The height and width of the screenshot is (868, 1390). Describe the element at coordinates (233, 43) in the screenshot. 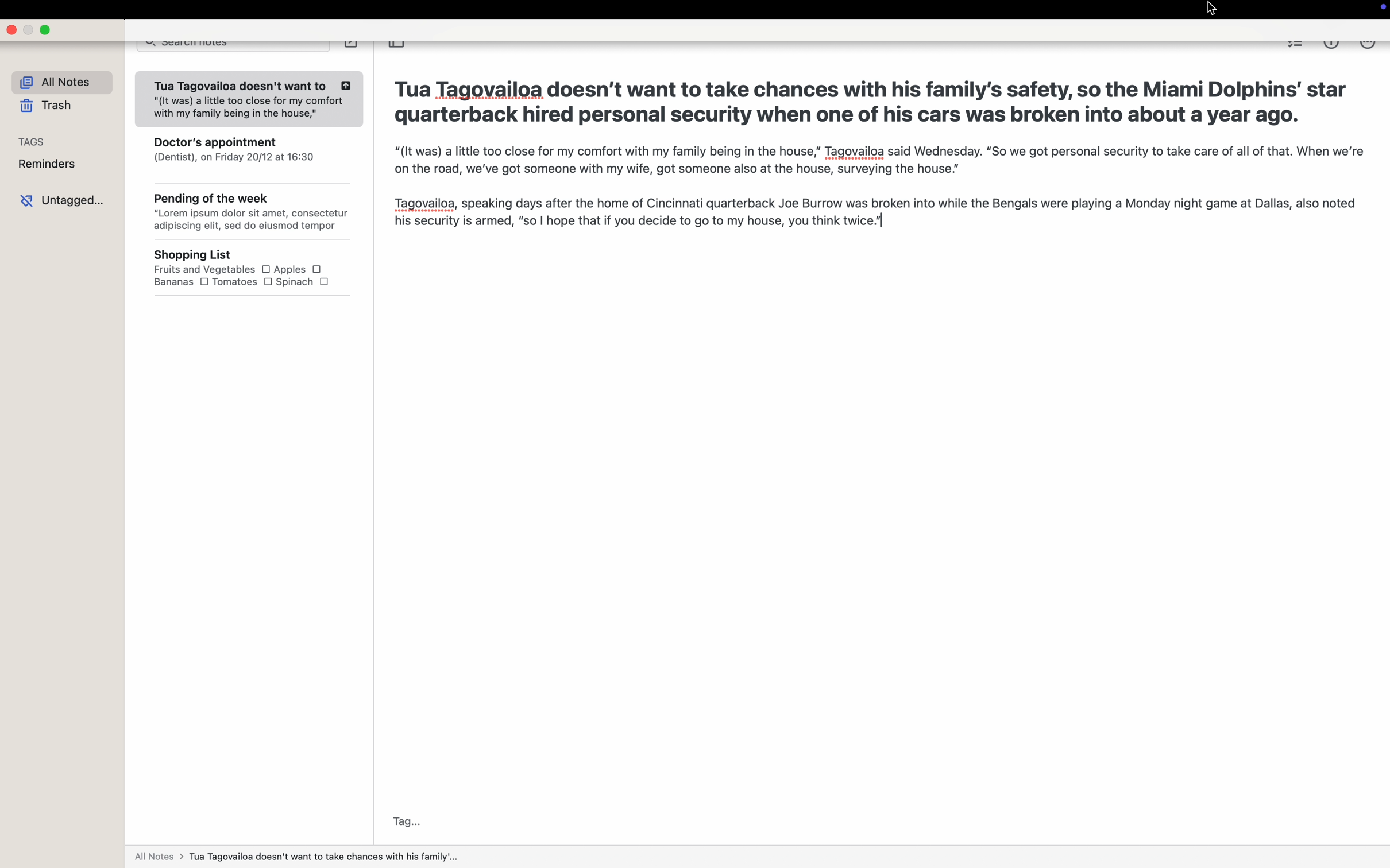

I see `search notes` at that location.